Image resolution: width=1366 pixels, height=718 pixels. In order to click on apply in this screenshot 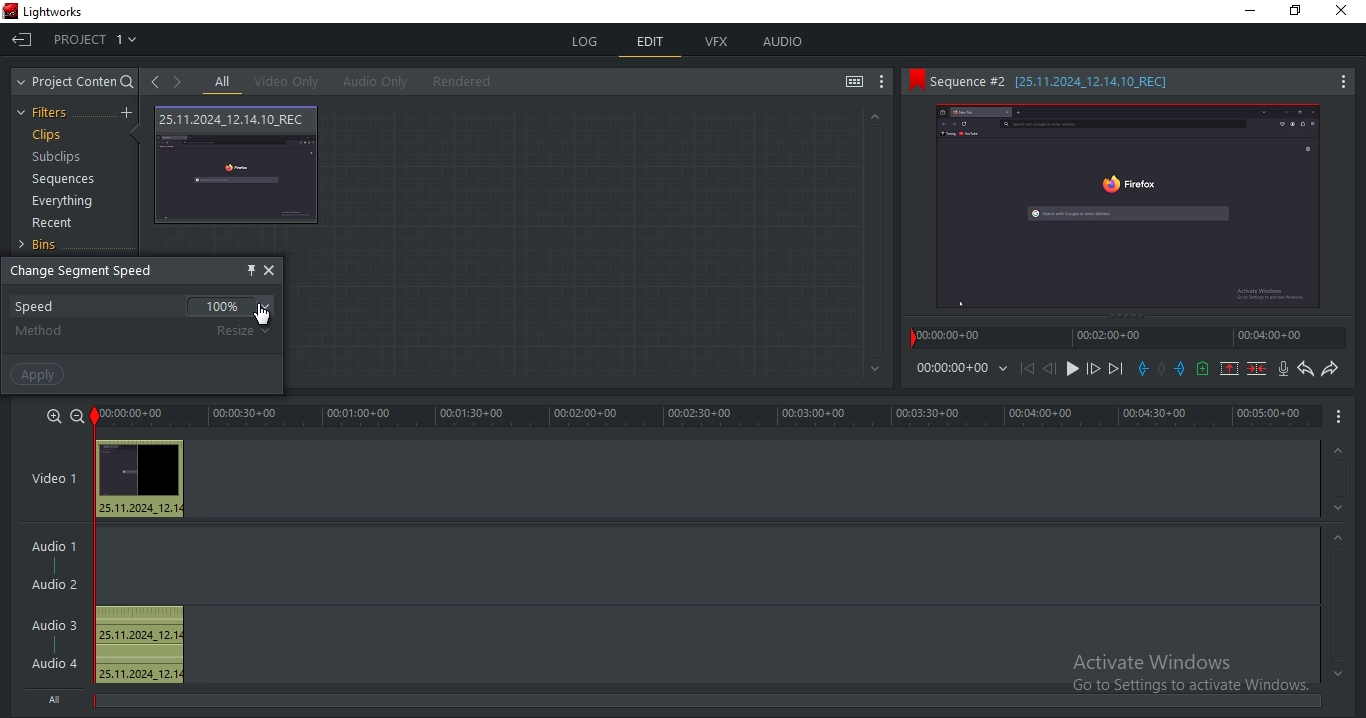, I will do `click(40, 374)`.